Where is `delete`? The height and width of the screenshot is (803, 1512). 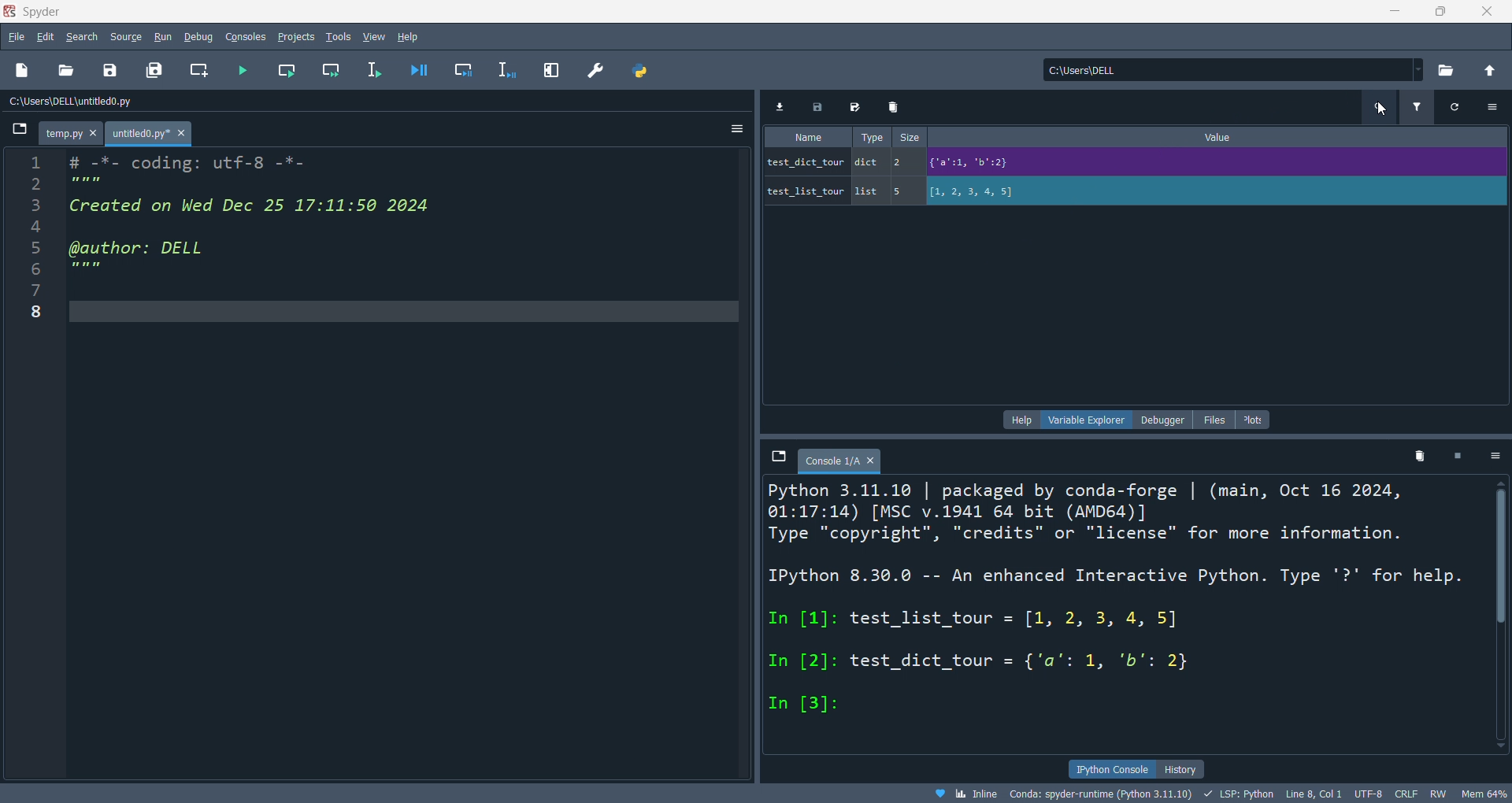
delete is located at coordinates (1421, 455).